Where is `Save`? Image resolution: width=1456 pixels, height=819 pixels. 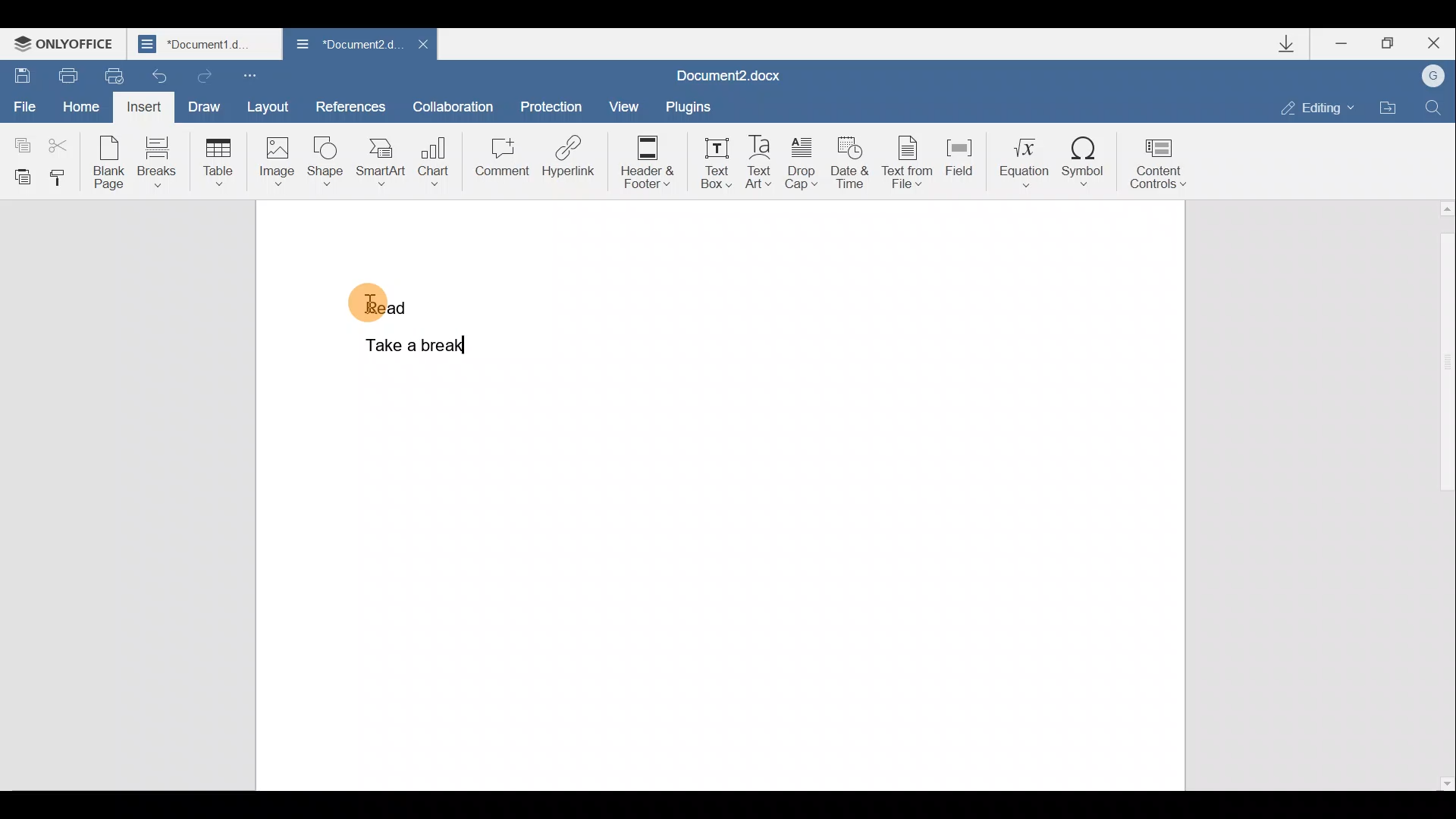 Save is located at coordinates (21, 71).